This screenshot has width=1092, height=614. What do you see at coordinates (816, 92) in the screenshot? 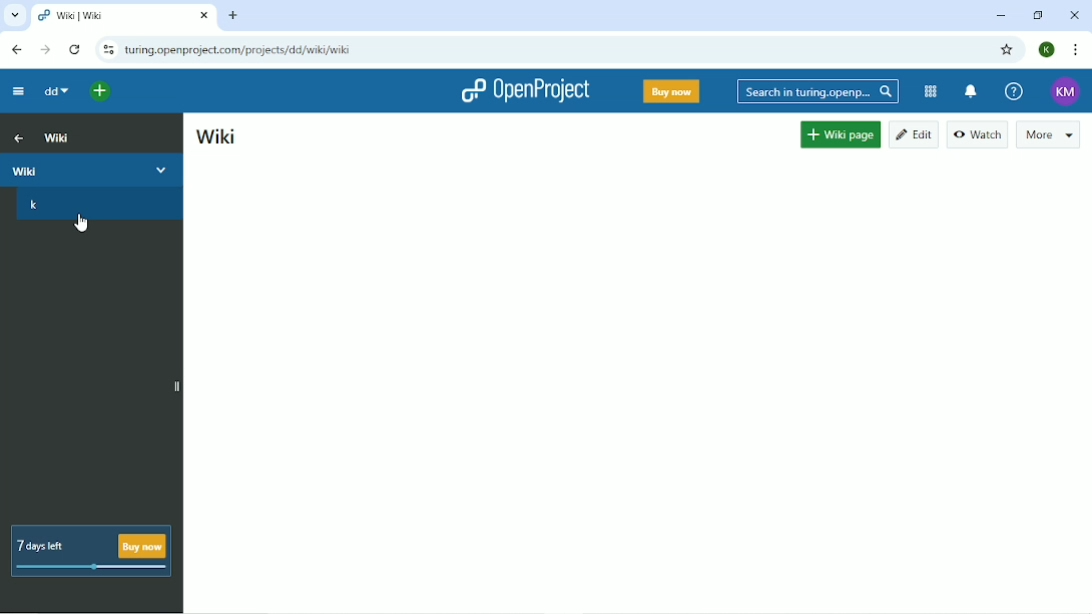
I see `Search in turing.openp` at bounding box center [816, 92].